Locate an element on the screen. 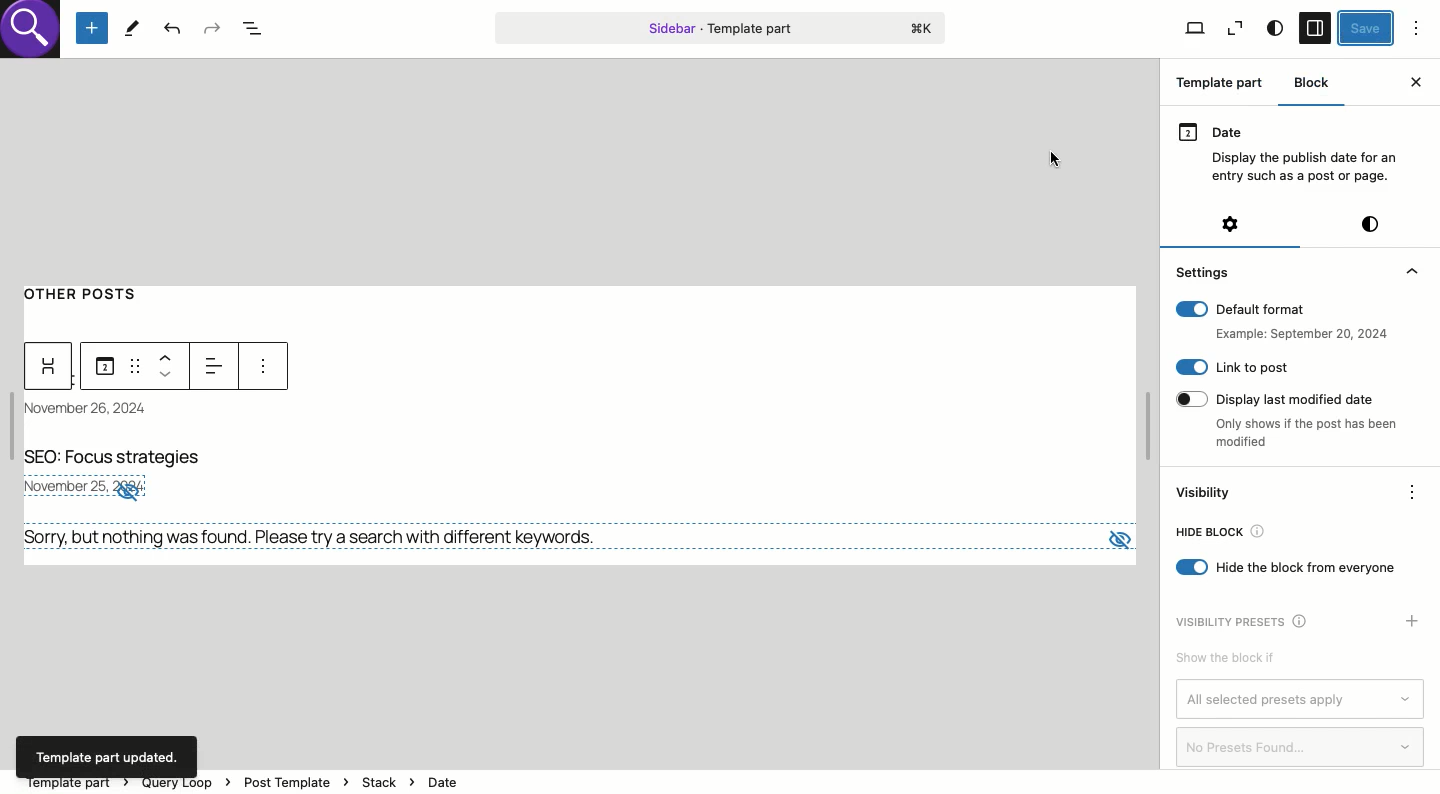 Image resolution: width=1440 pixels, height=794 pixels. Sidebar  is located at coordinates (1314, 29).